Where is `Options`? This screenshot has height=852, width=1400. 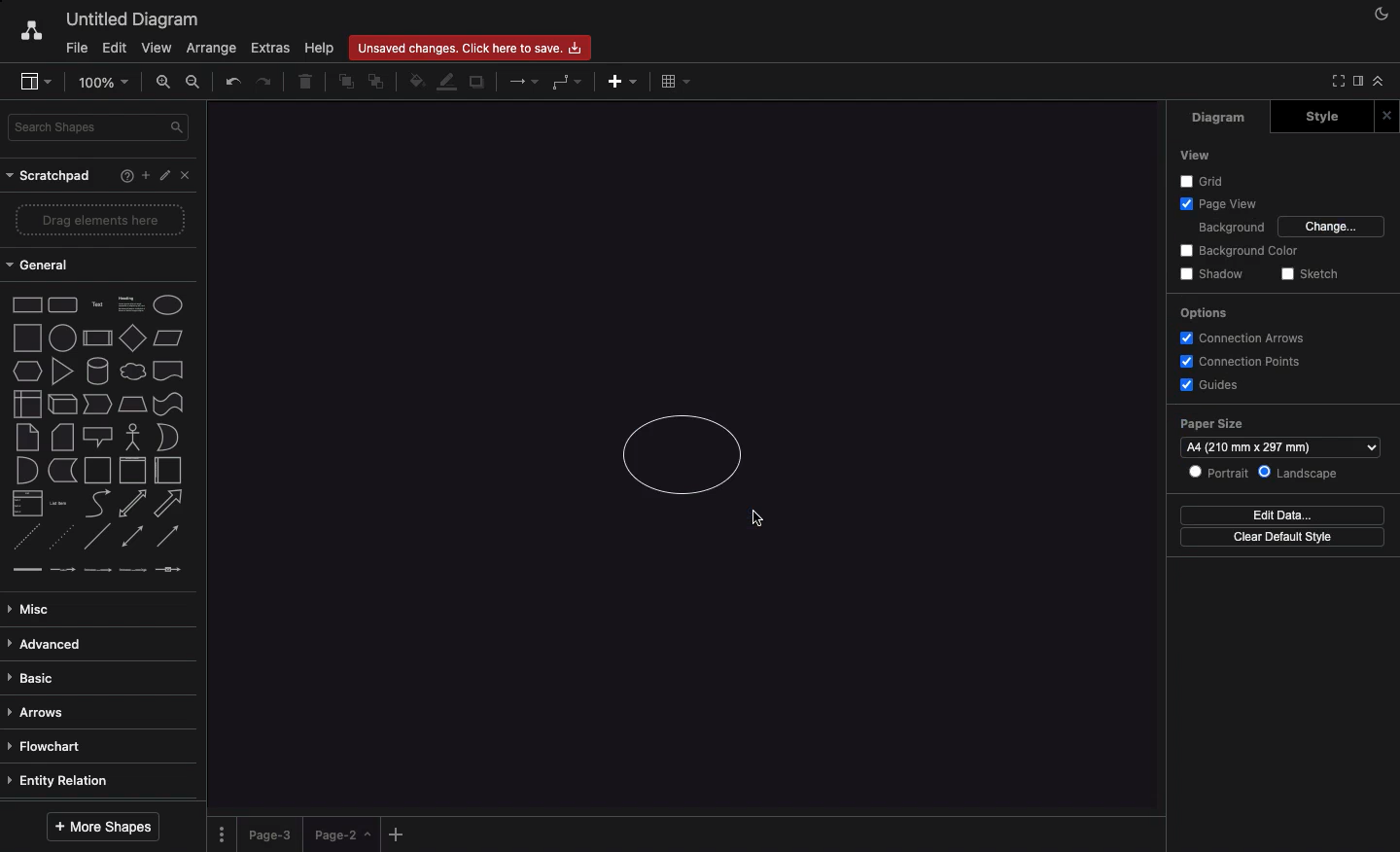 Options is located at coordinates (1206, 312).